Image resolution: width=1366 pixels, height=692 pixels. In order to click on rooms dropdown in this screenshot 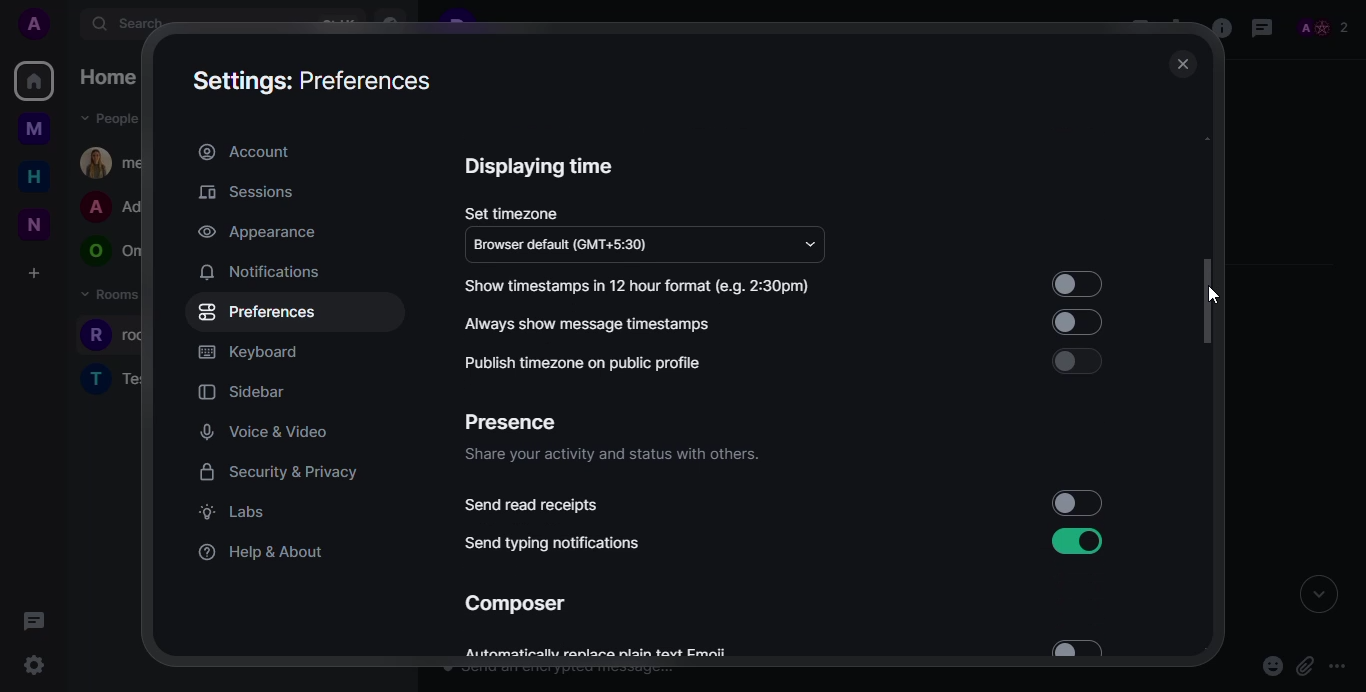, I will do `click(120, 295)`.